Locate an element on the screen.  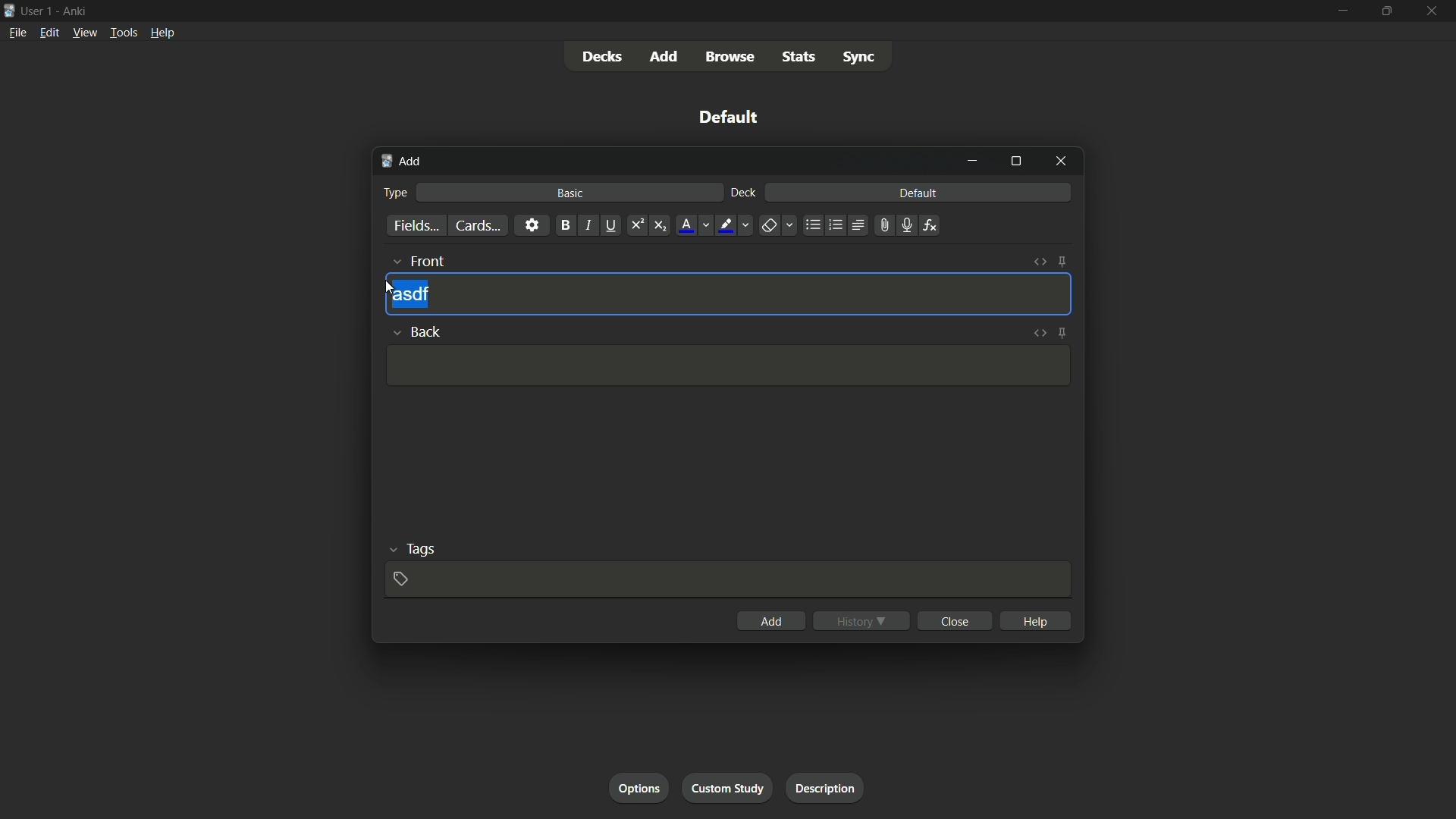
help is located at coordinates (1036, 621).